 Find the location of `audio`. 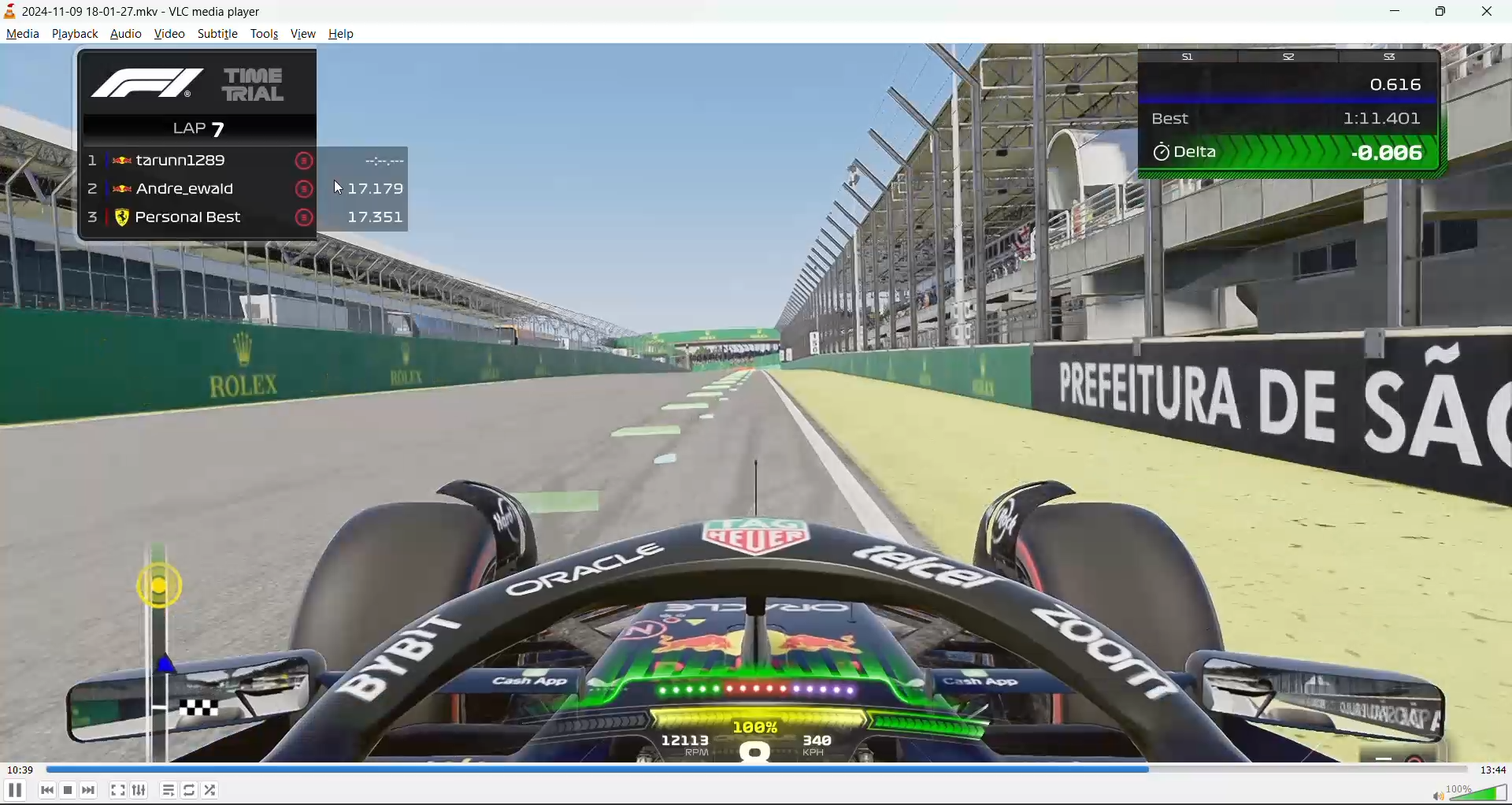

audio is located at coordinates (128, 35).